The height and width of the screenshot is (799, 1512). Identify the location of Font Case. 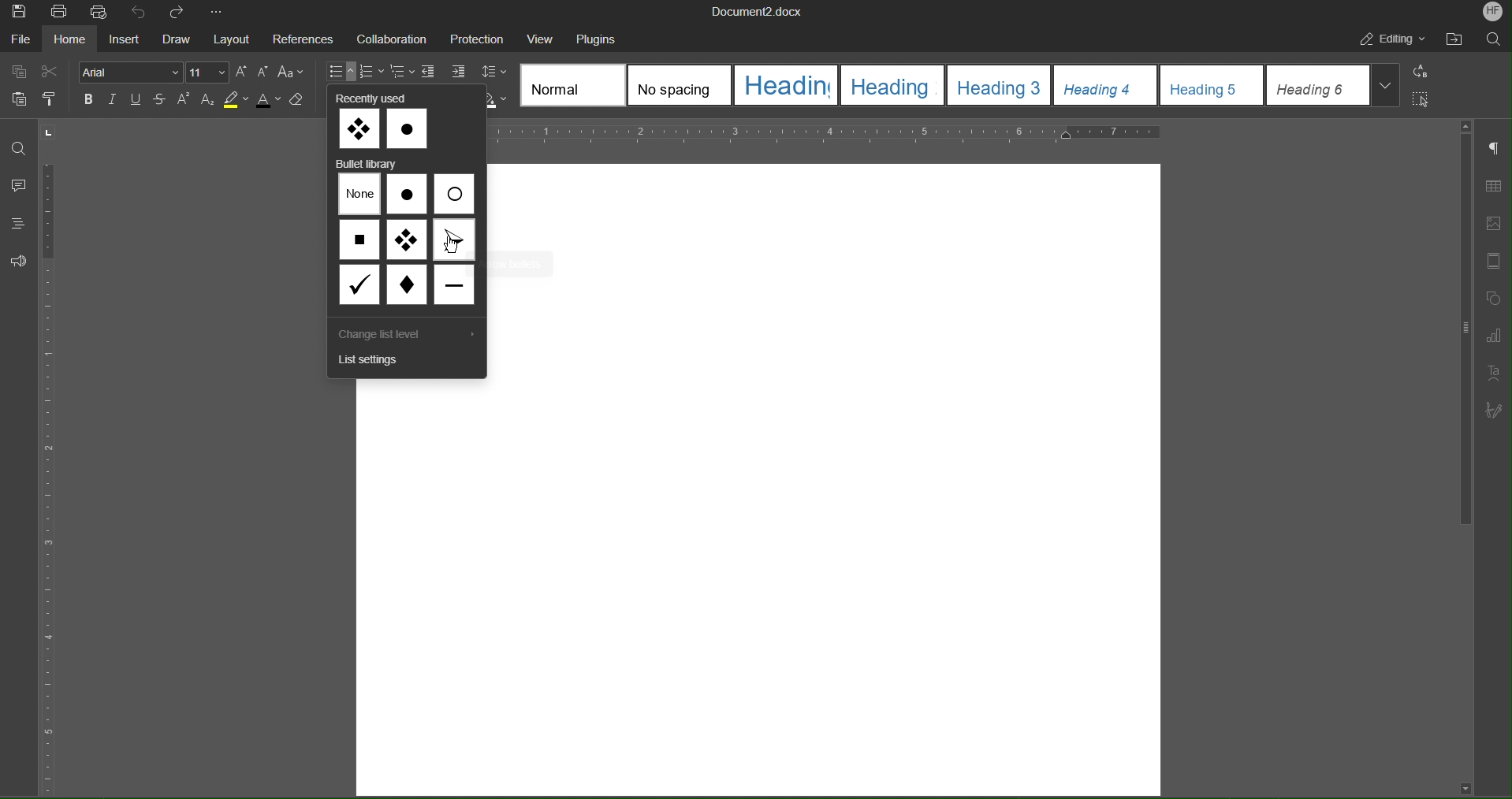
(296, 69).